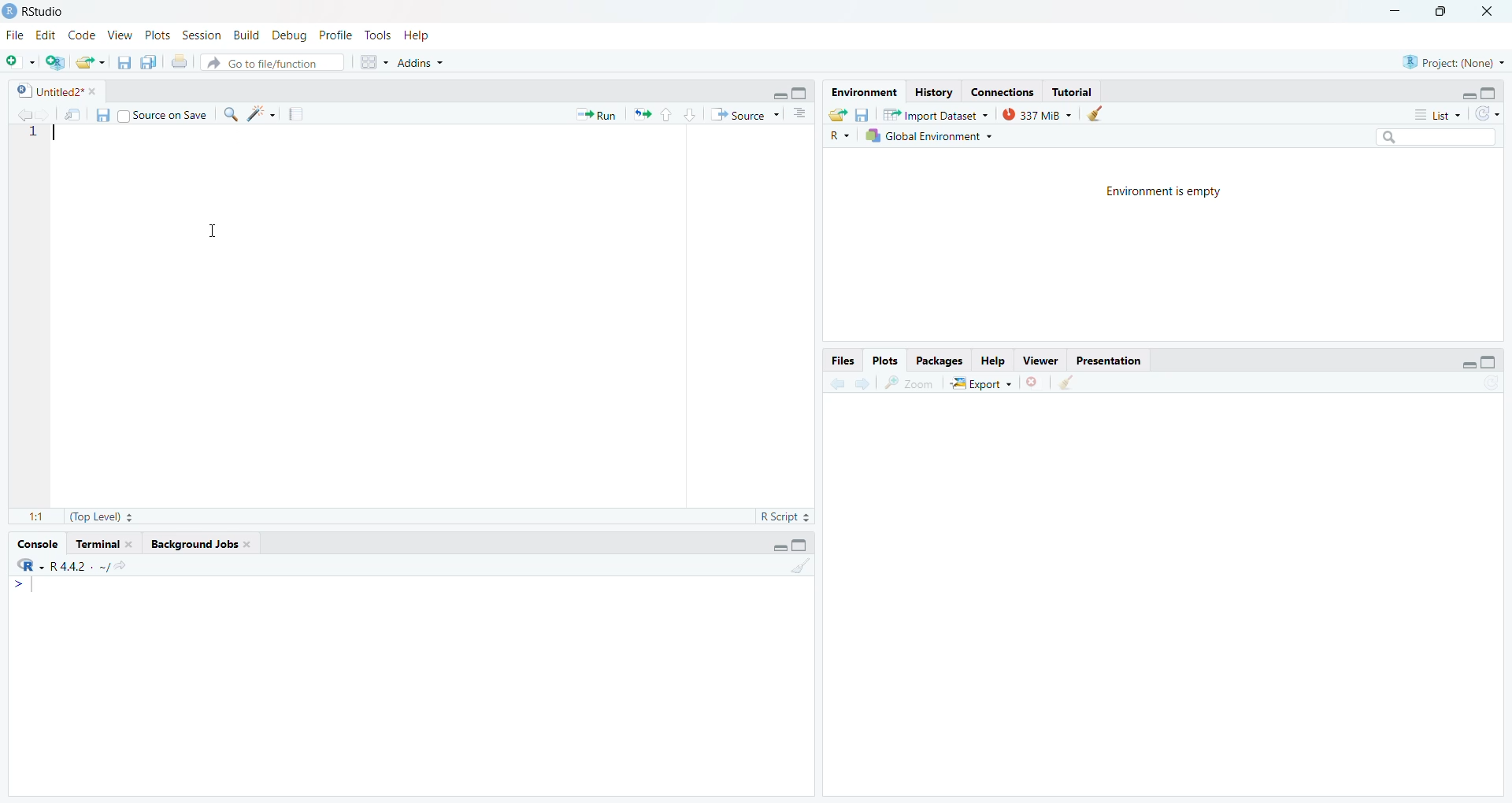  Describe the element at coordinates (13, 35) in the screenshot. I see `File` at that location.